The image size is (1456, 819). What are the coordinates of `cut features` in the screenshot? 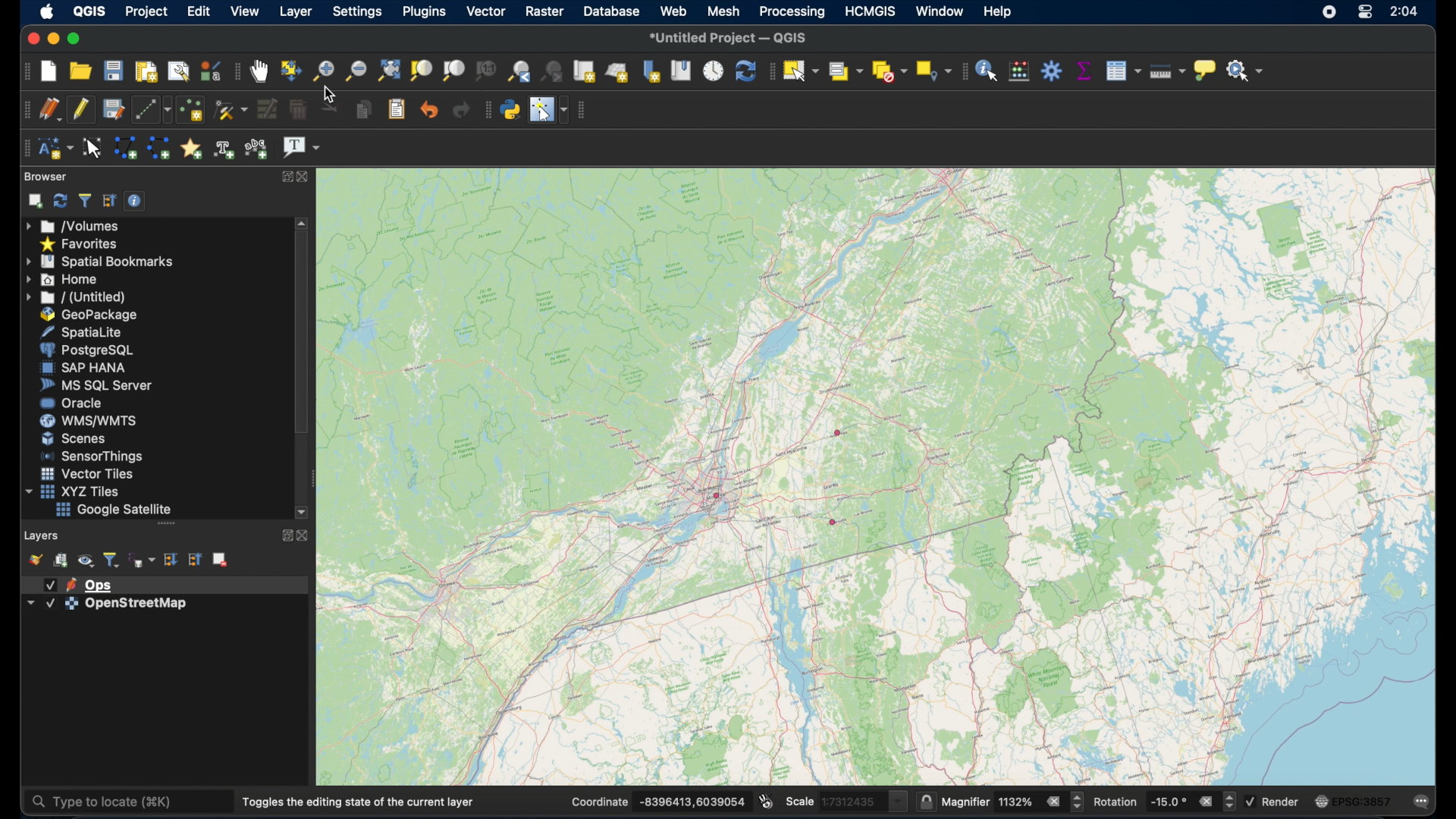 It's located at (329, 108).